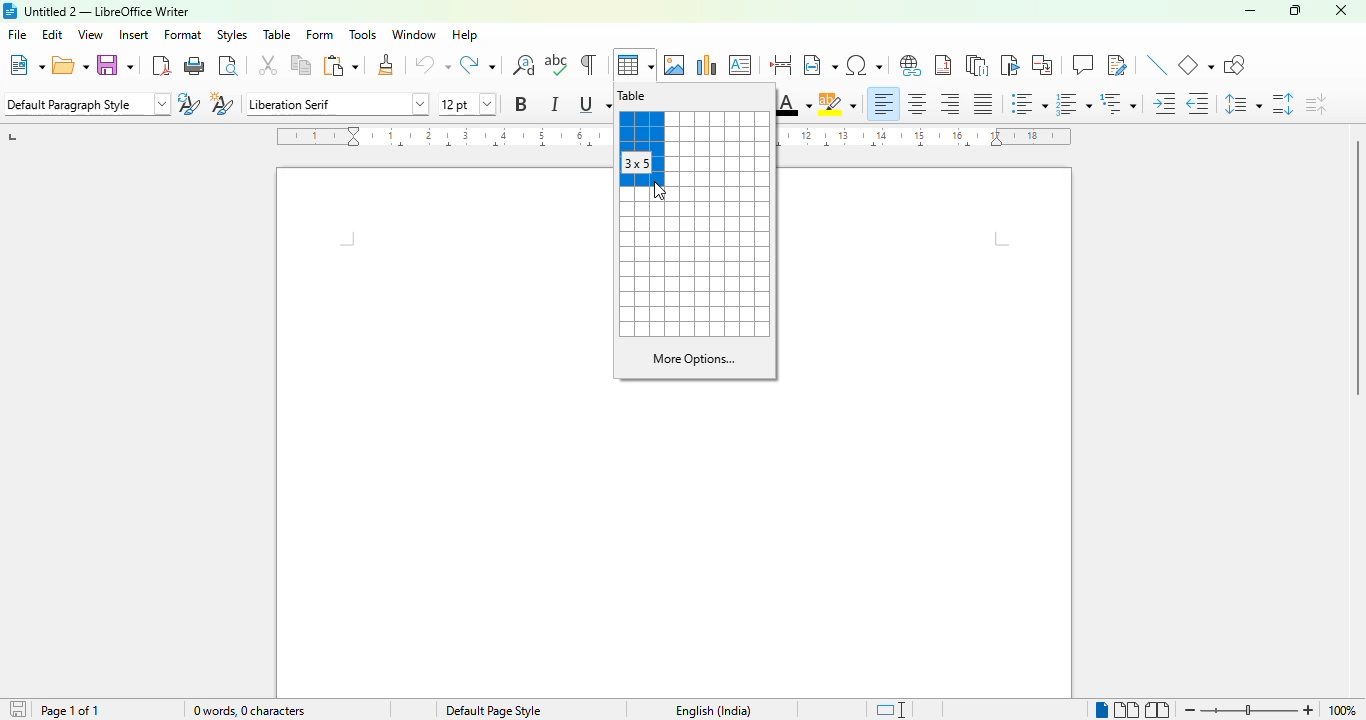  I want to click on cursor, so click(659, 191).